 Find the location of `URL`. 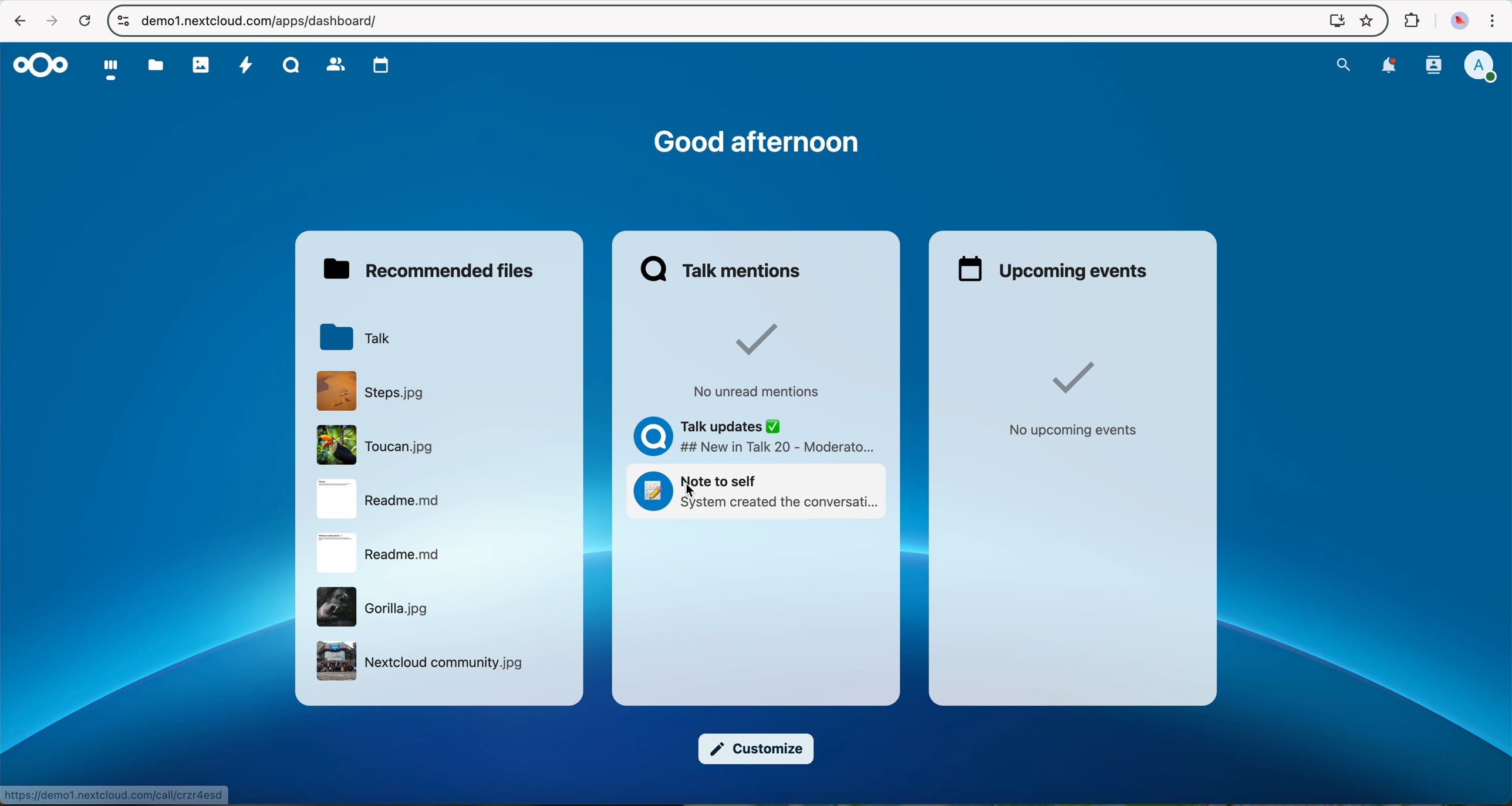

URL is located at coordinates (114, 793).